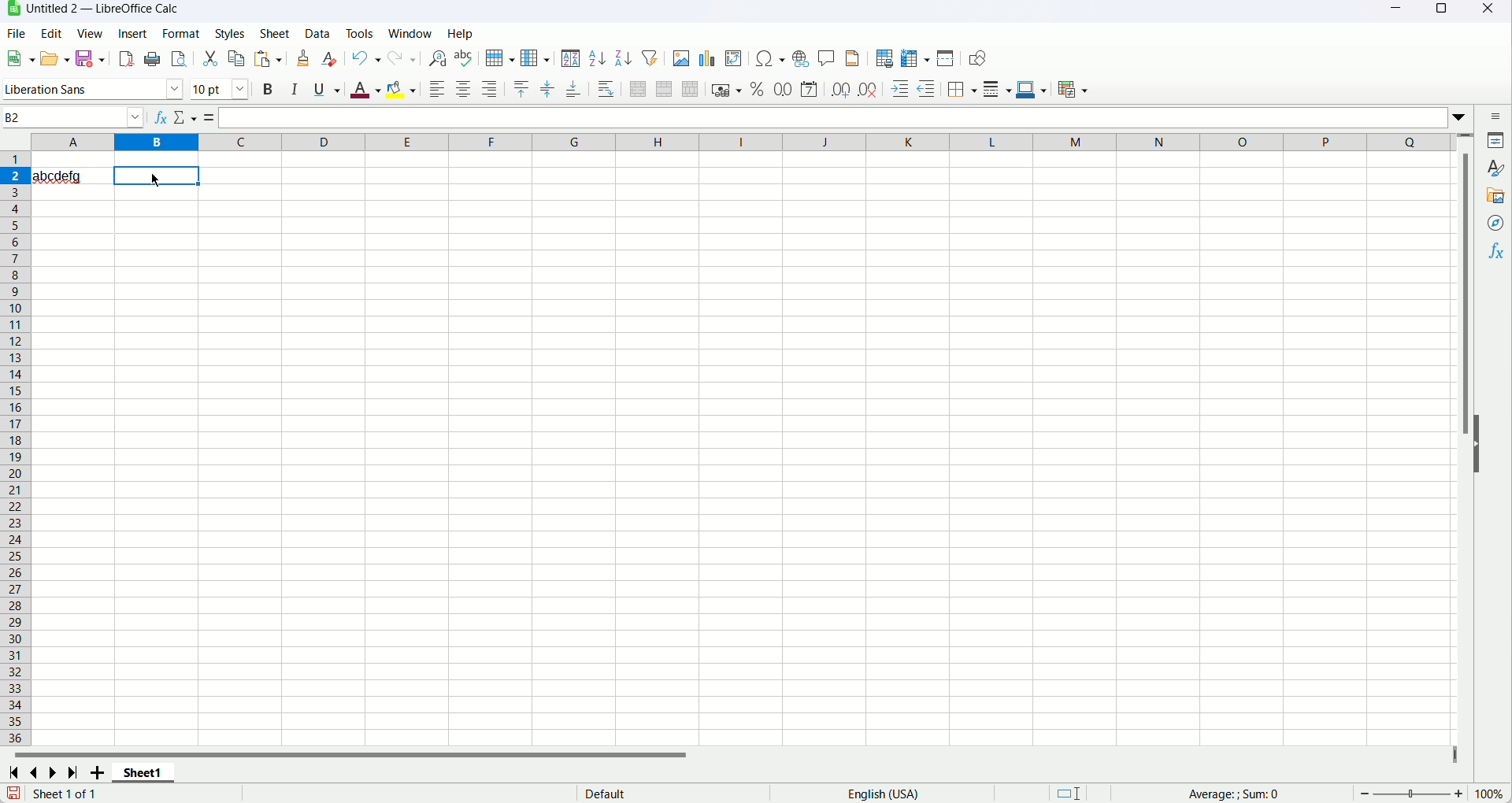  Describe the element at coordinates (841, 89) in the screenshot. I see `add decimal place` at that location.